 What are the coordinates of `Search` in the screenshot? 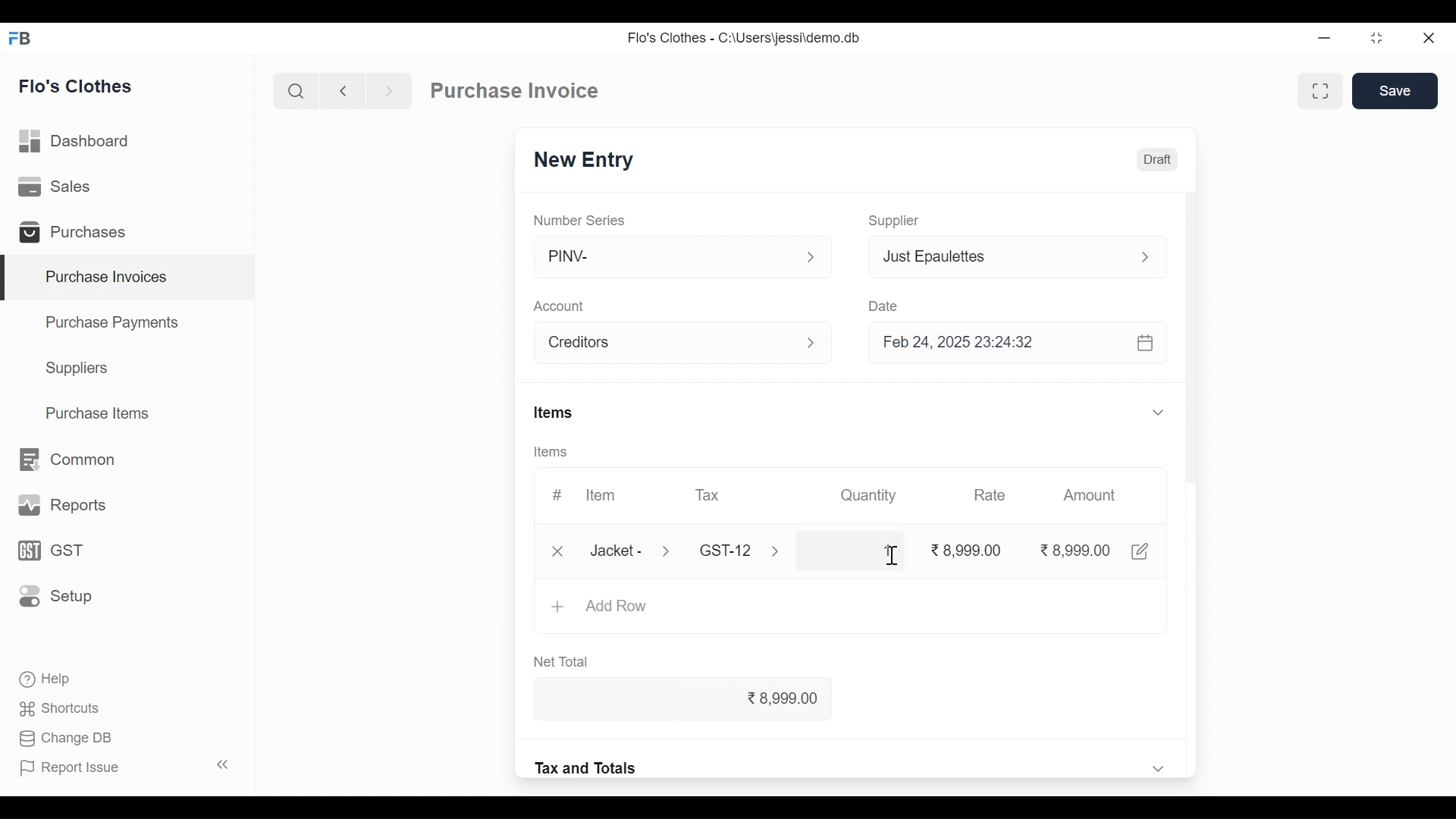 It's located at (297, 90).